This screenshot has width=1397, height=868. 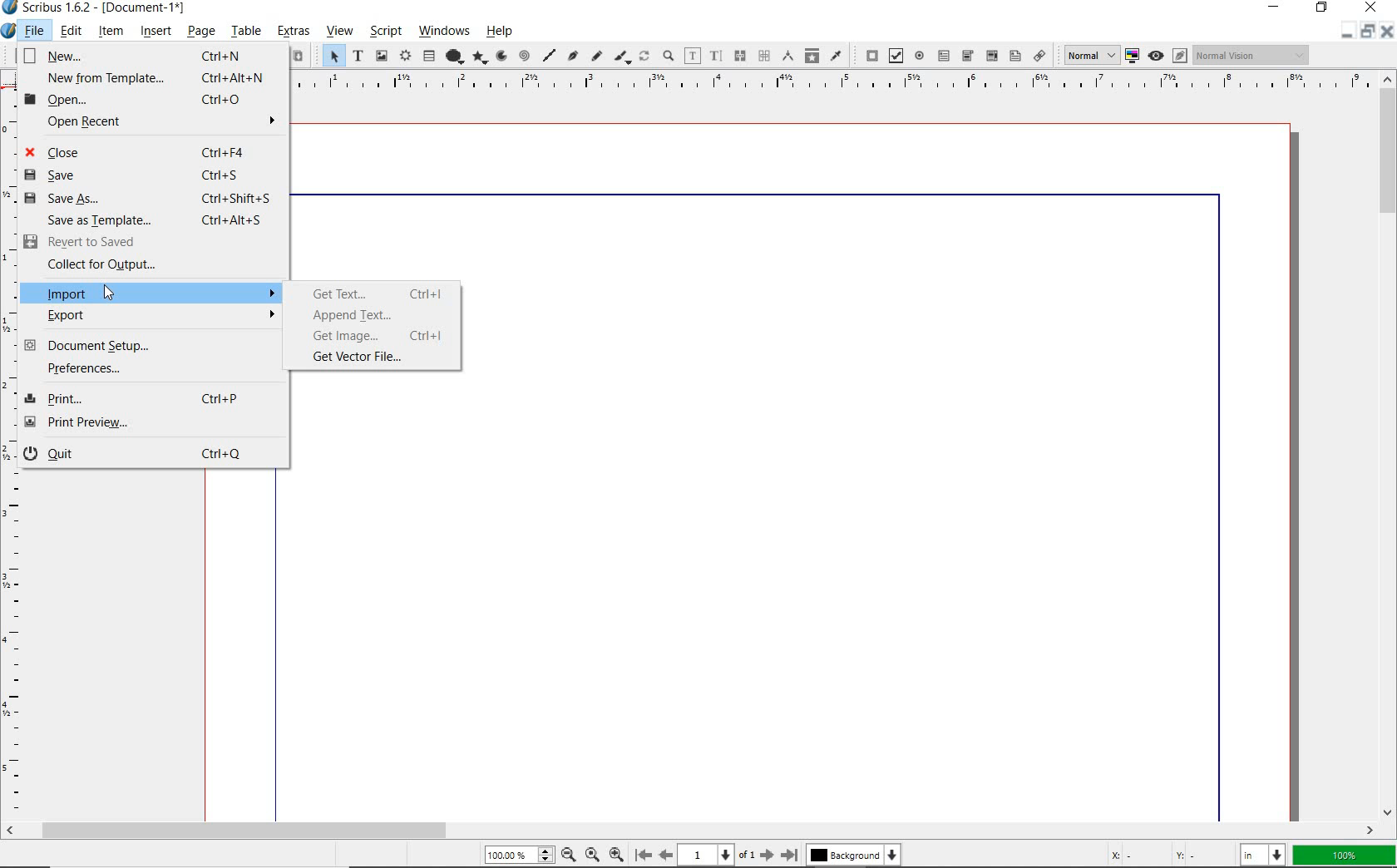 I want to click on edit contents of frame, so click(x=694, y=57).